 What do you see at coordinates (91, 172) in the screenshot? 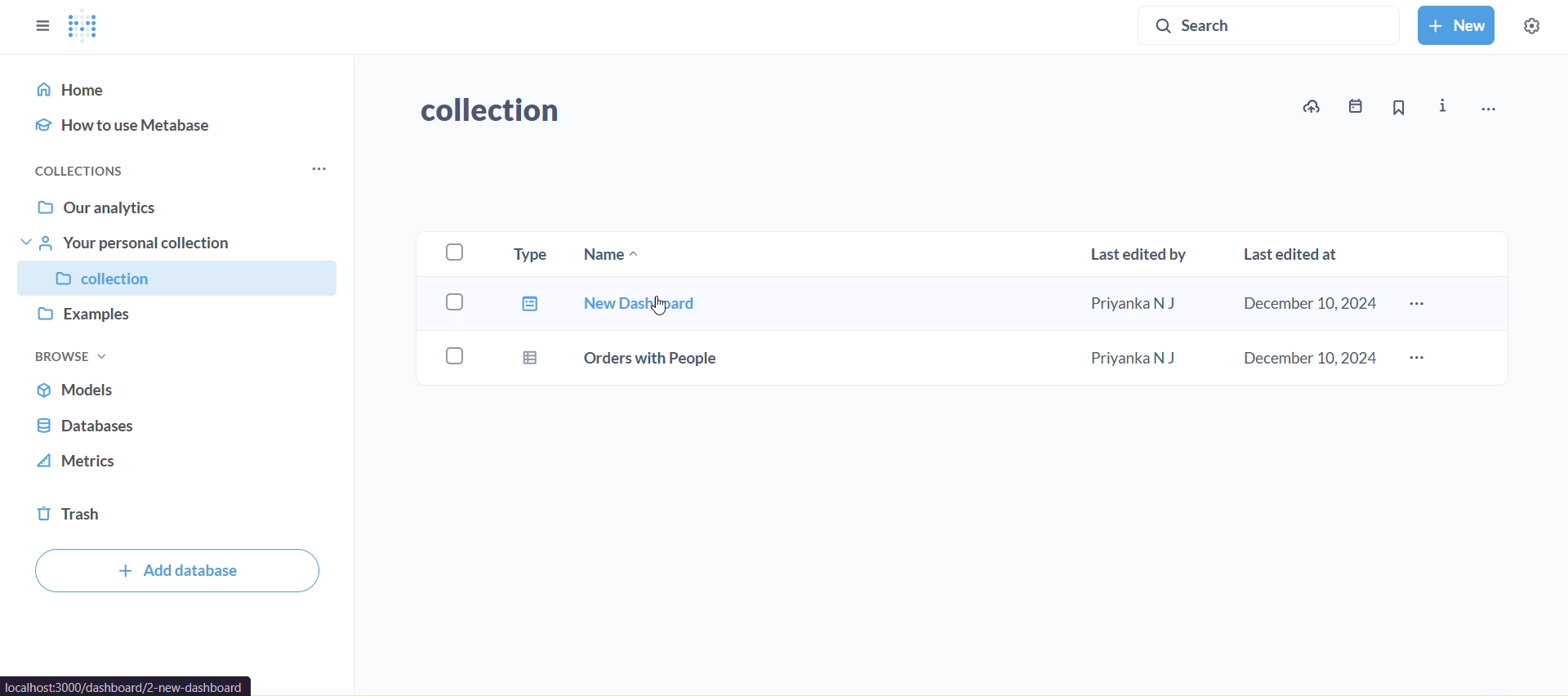
I see `collections` at bounding box center [91, 172].